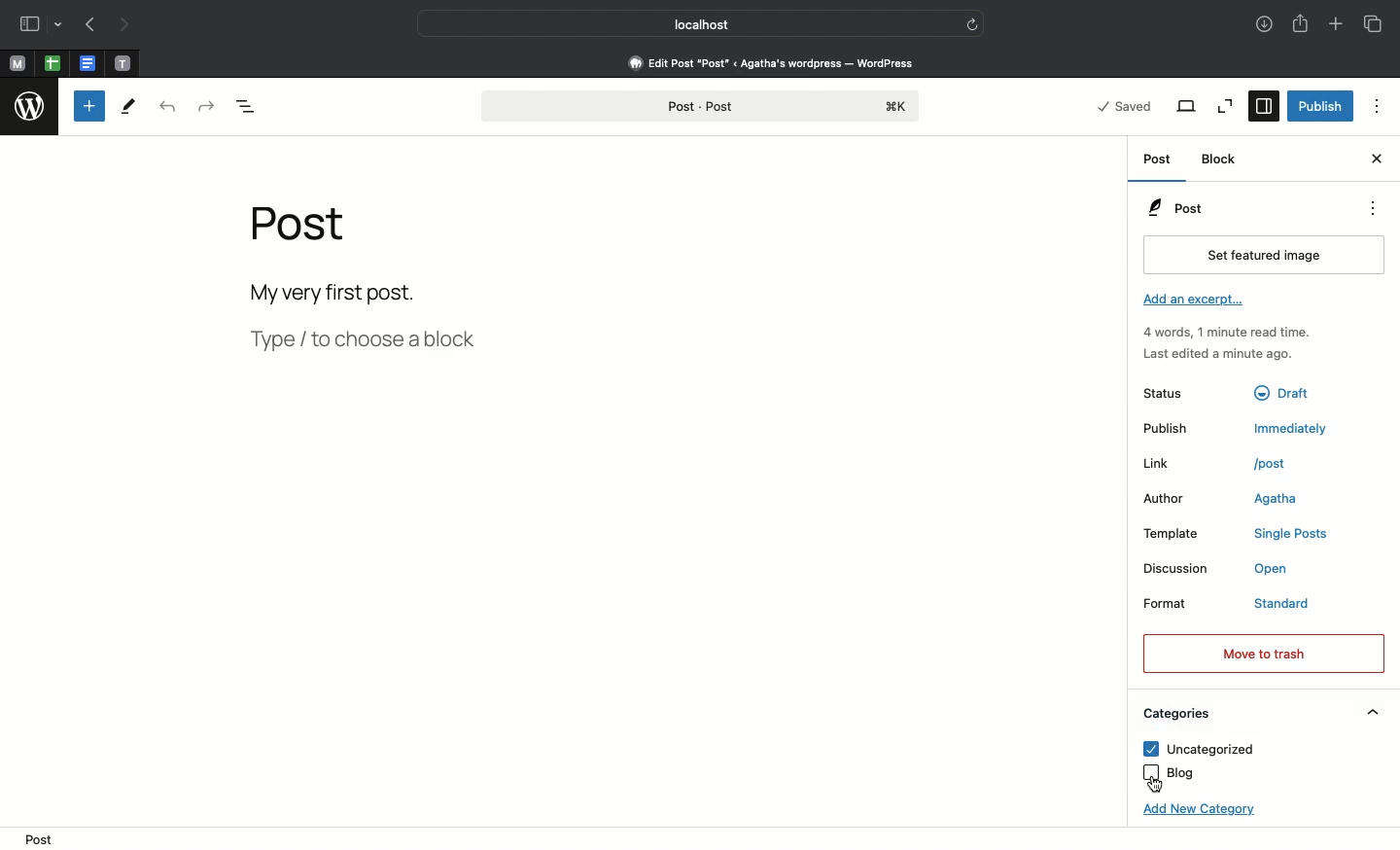 The height and width of the screenshot is (850, 1400). Describe the element at coordinates (1225, 346) in the screenshot. I see `4 words, 1 minute read time. Last edited a minute ago.` at that location.